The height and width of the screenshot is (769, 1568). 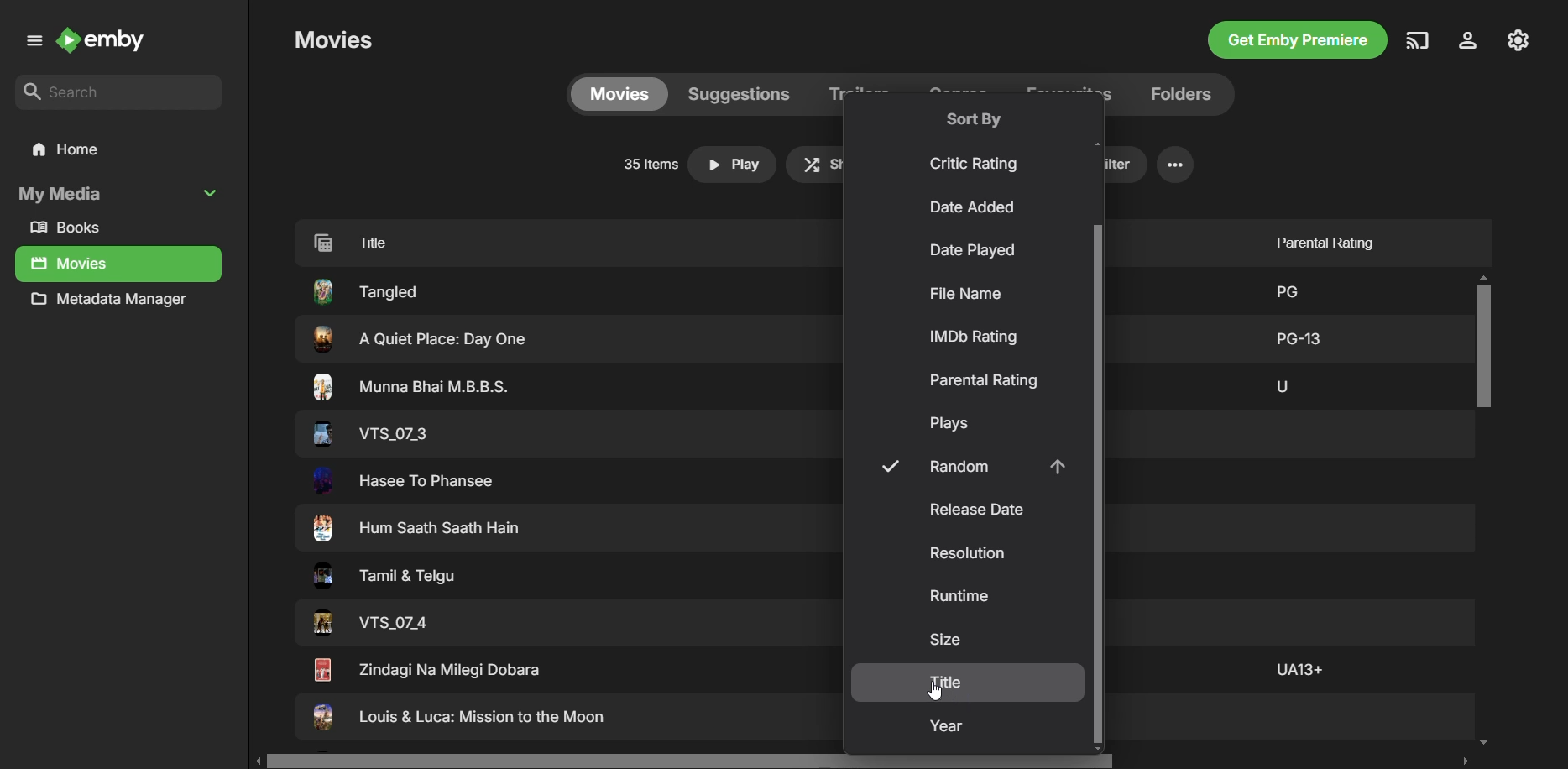 I want to click on Movies, so click(x=618, y=93).